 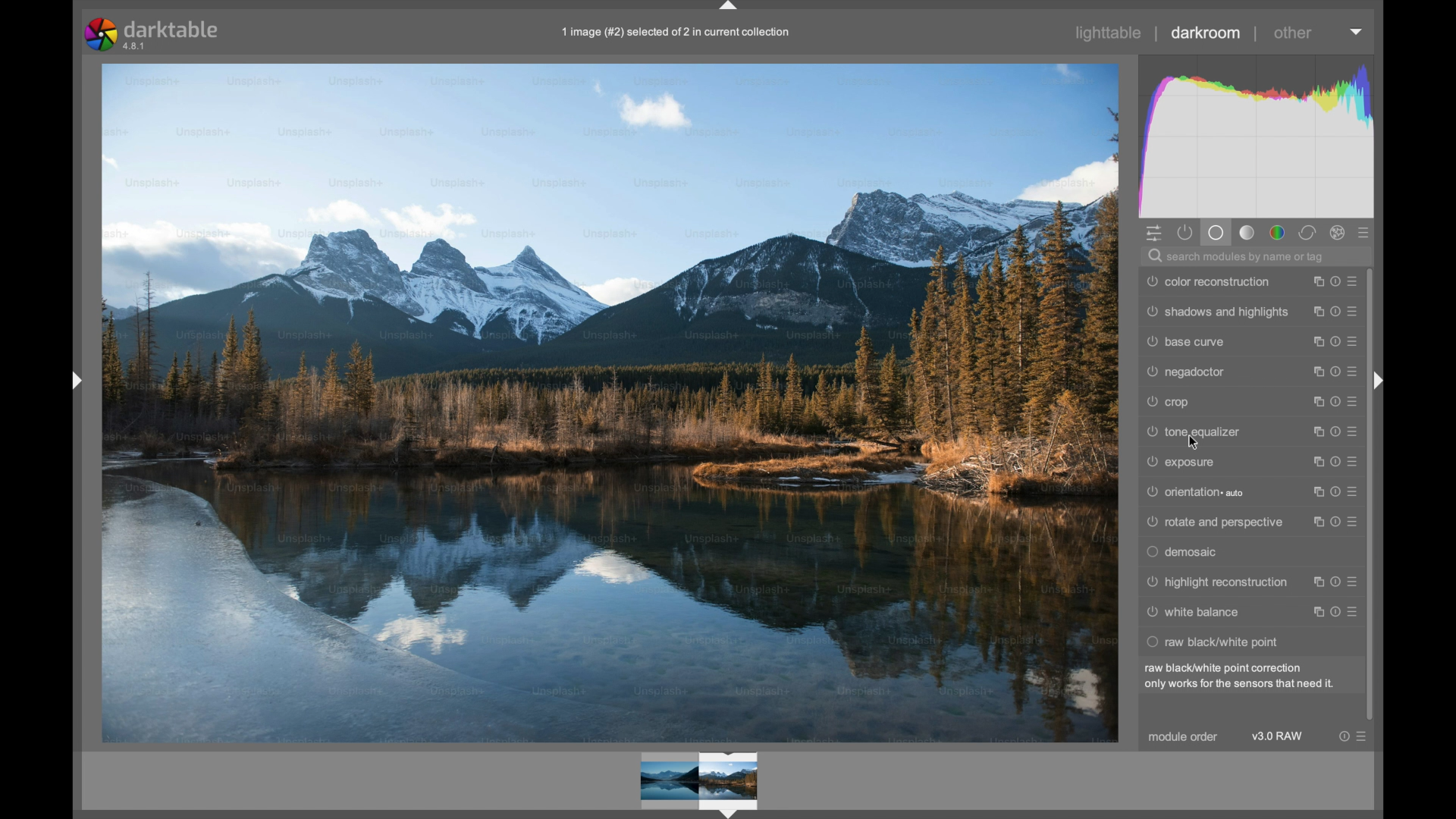 What do you see at coordinates (1308, 233) in the screenshot?
I see `correct` at bounding box center [1308, 233].